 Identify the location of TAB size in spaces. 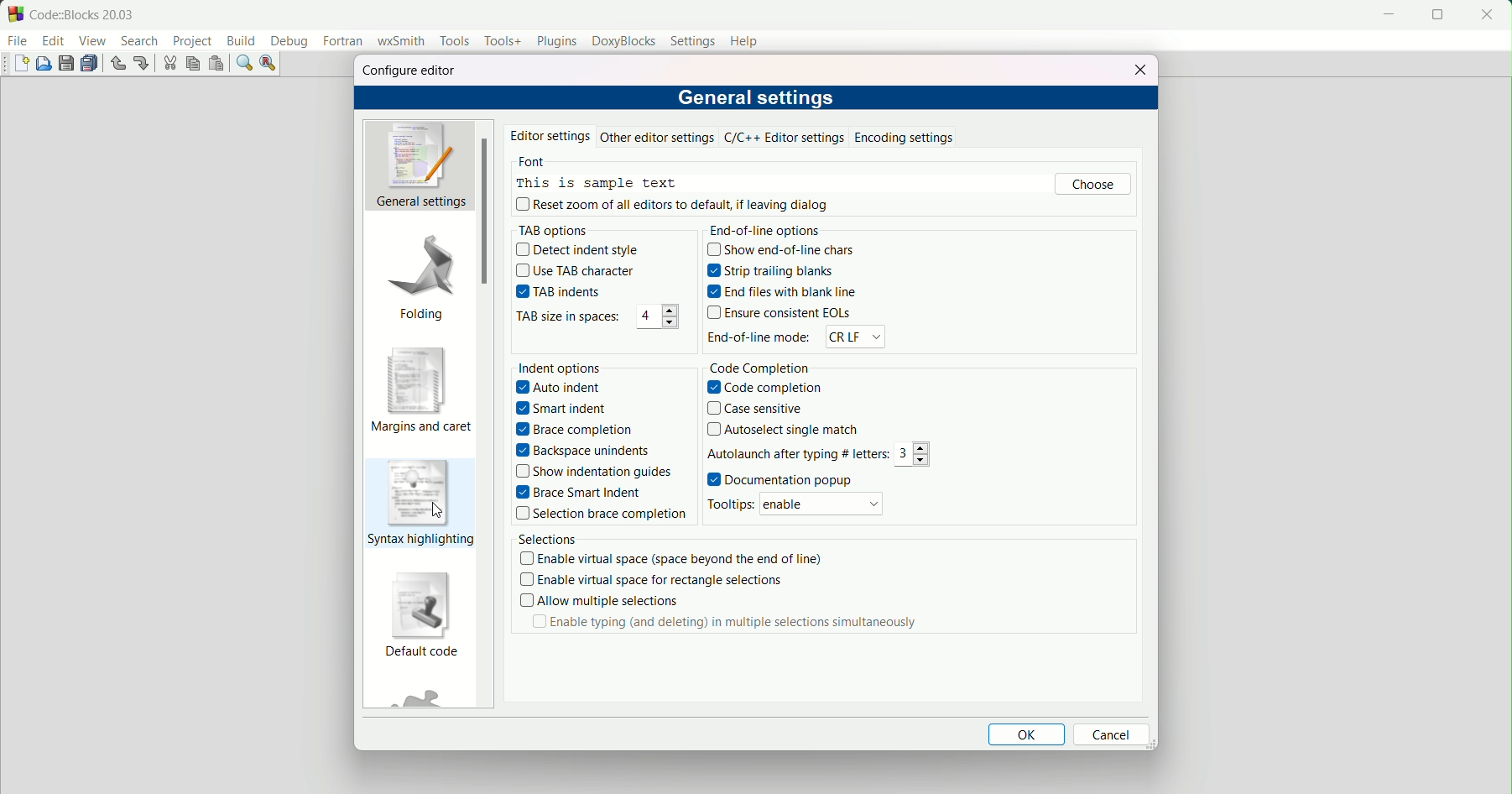
(565, 318).